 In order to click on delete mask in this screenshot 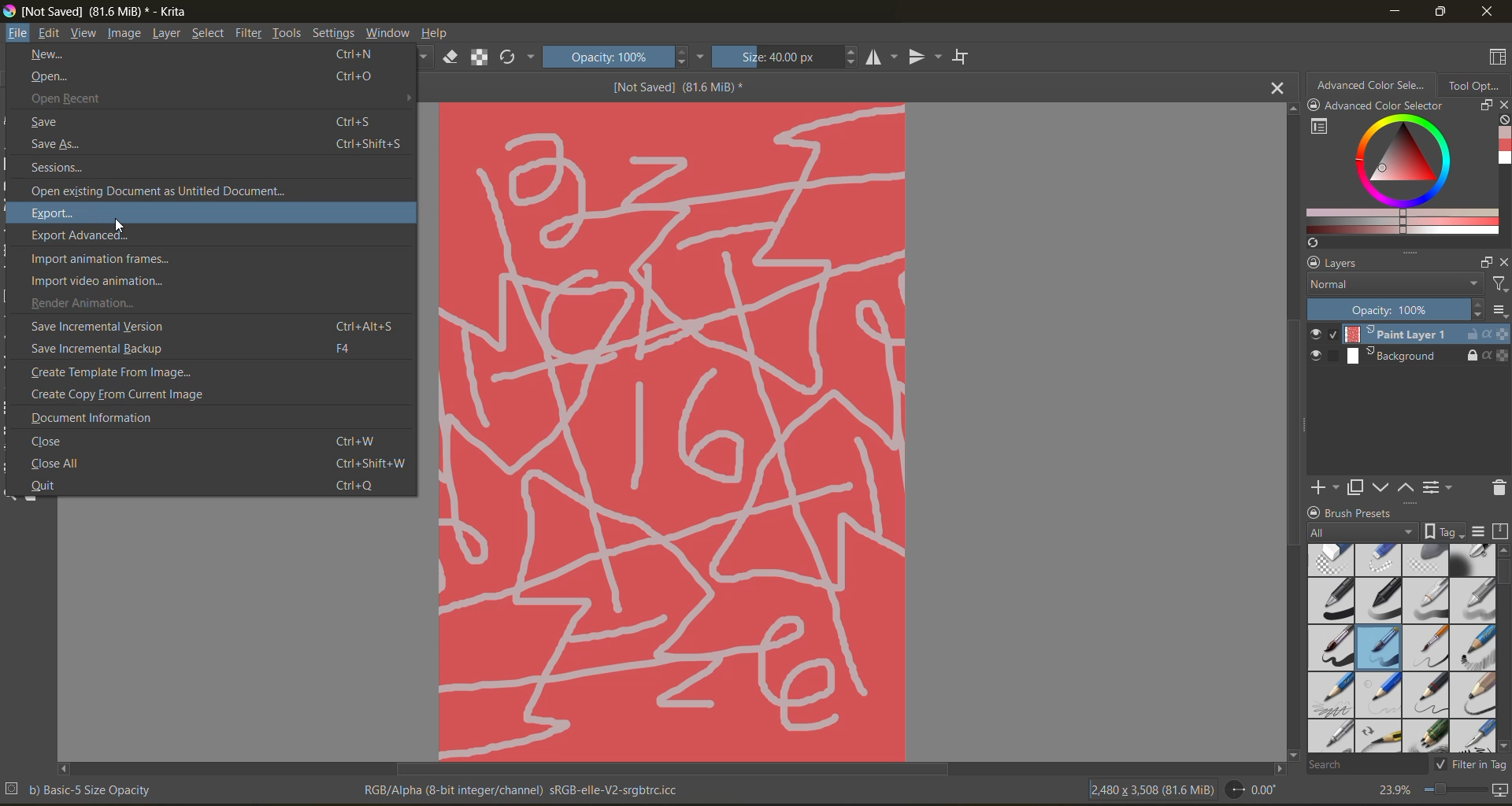, I will do `click(1499, 490)`.